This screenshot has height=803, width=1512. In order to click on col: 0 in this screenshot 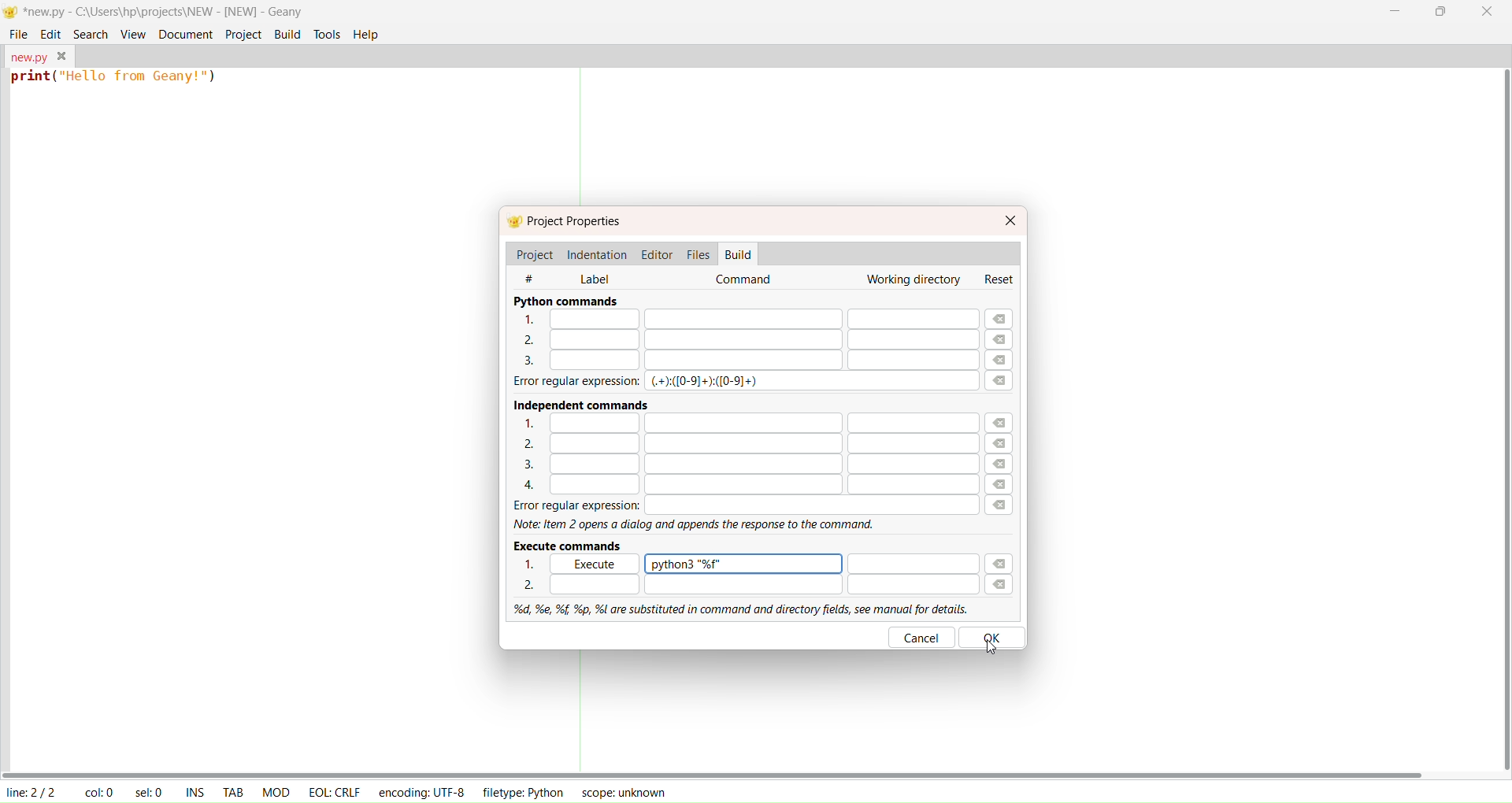, I will do `click(98, 792)`.